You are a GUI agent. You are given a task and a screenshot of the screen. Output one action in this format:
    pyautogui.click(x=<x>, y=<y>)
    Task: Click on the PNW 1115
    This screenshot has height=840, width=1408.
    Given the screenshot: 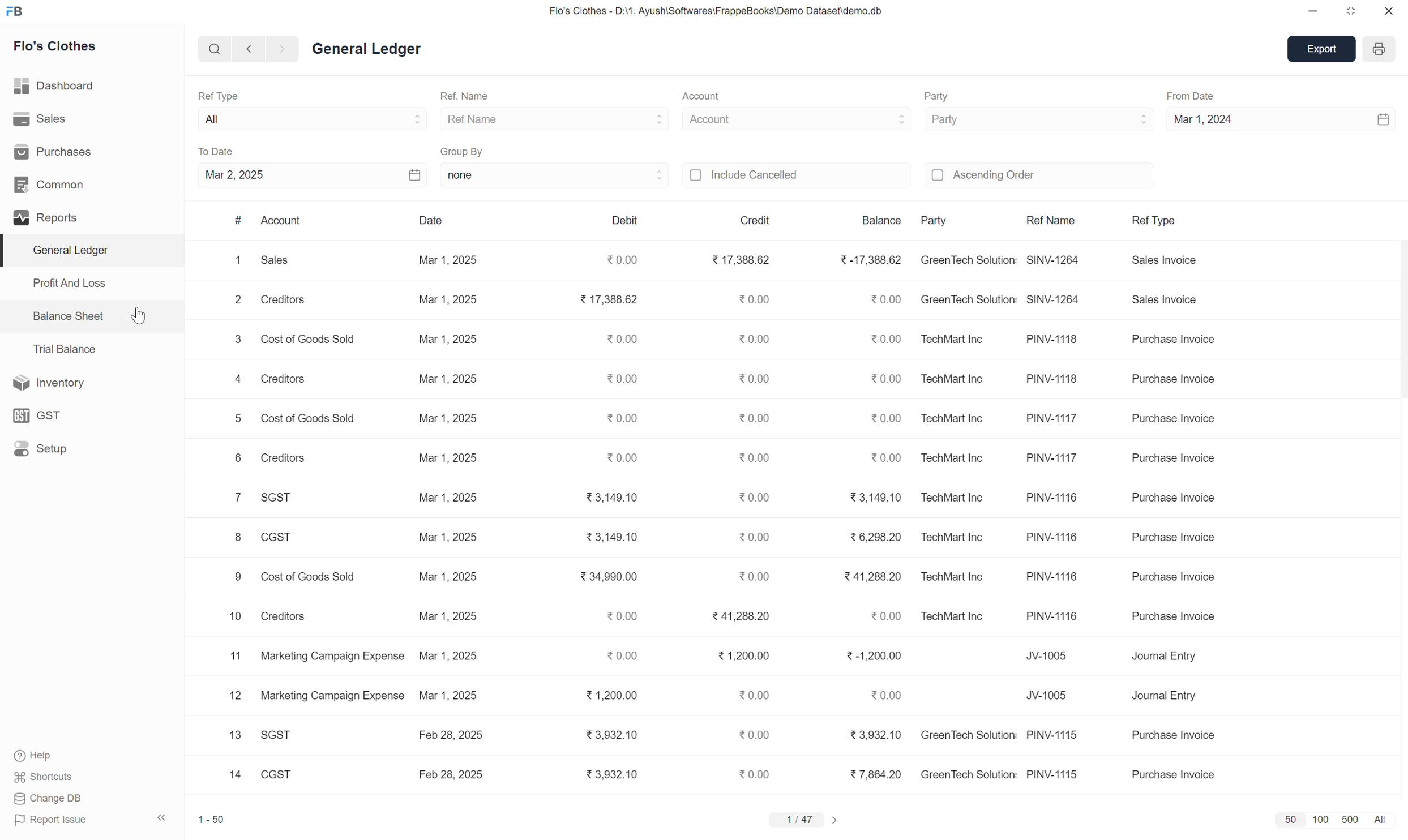 What is the action you would take?
    pyautogui.click(x=1055, y=774)
    